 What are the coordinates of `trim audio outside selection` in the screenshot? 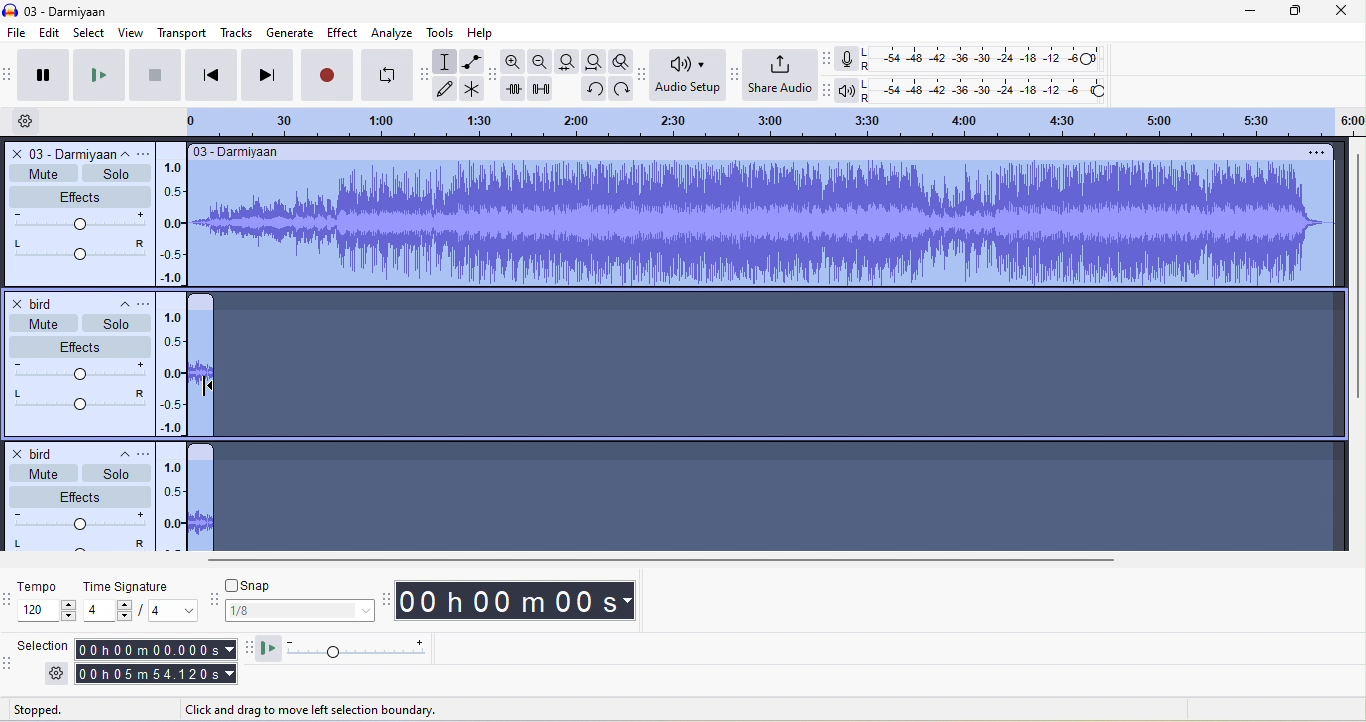 It's located at (518, 90).